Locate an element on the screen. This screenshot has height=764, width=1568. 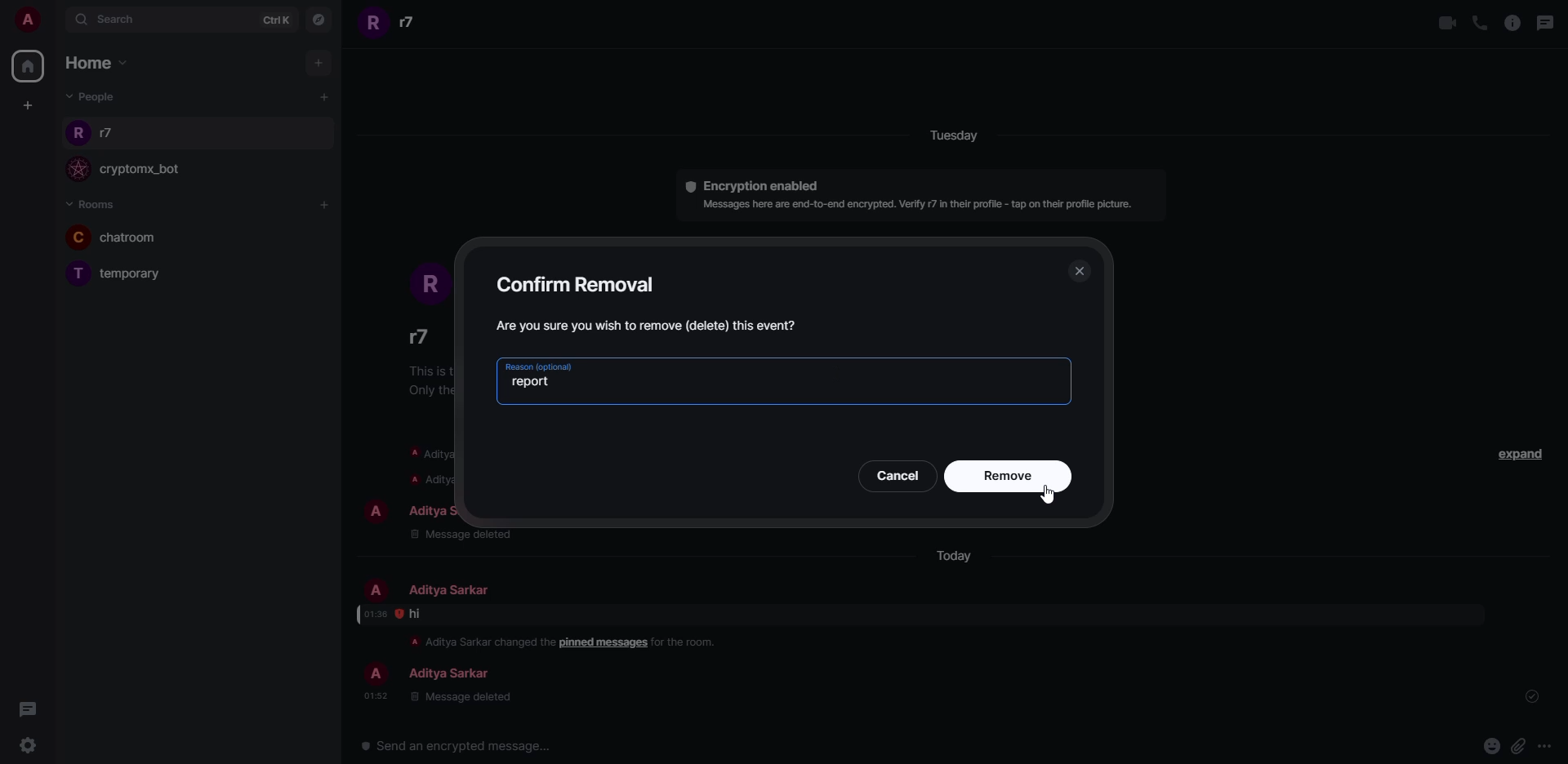
sent is located at coordinates (1535, 697).